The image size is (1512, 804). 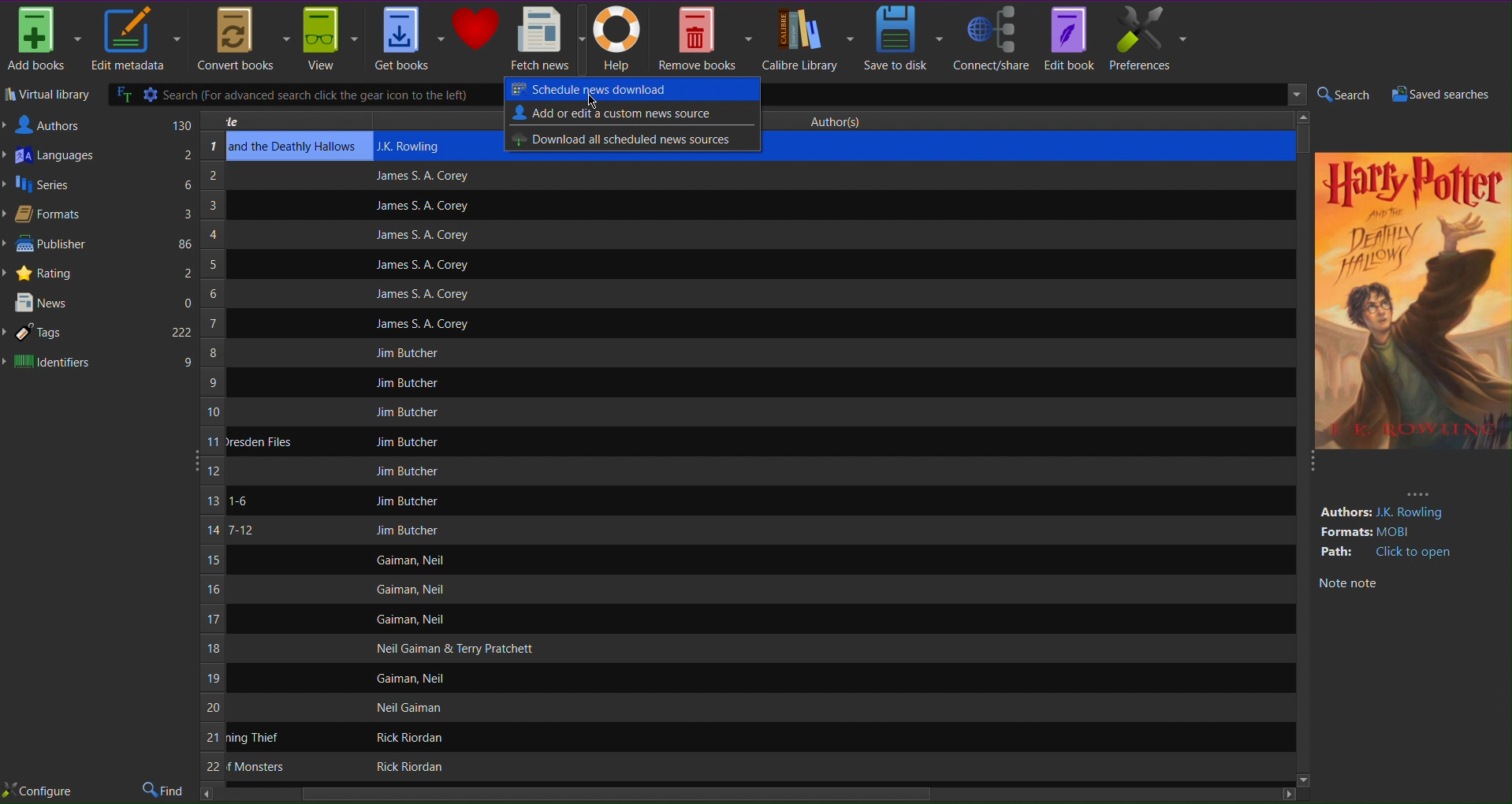 What do you see at coordinates (330, 40) in the screenshot?
I see `View` at bounding box center [330, 40].